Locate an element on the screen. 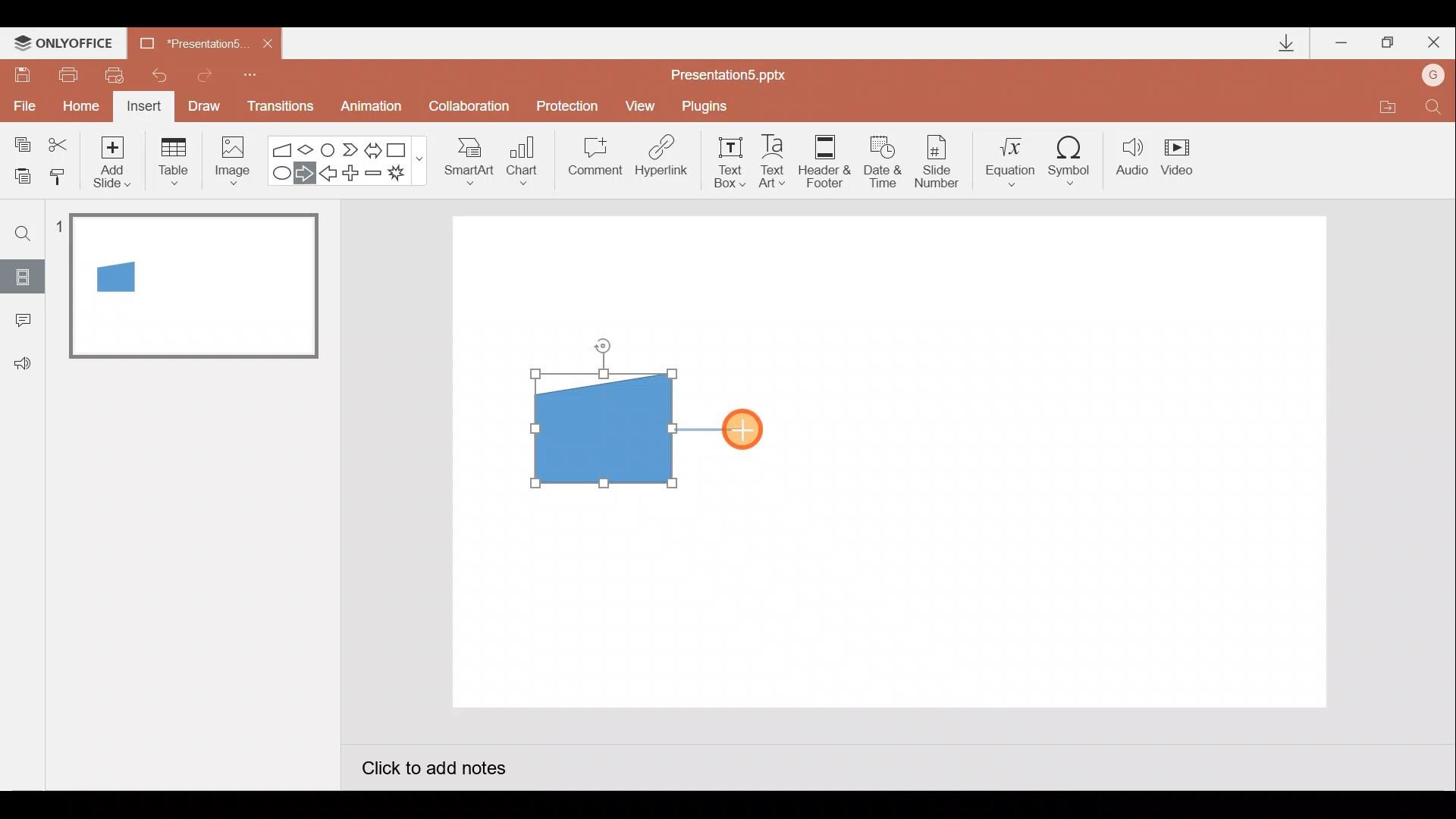  Chart is located at coordinates (522, 158).